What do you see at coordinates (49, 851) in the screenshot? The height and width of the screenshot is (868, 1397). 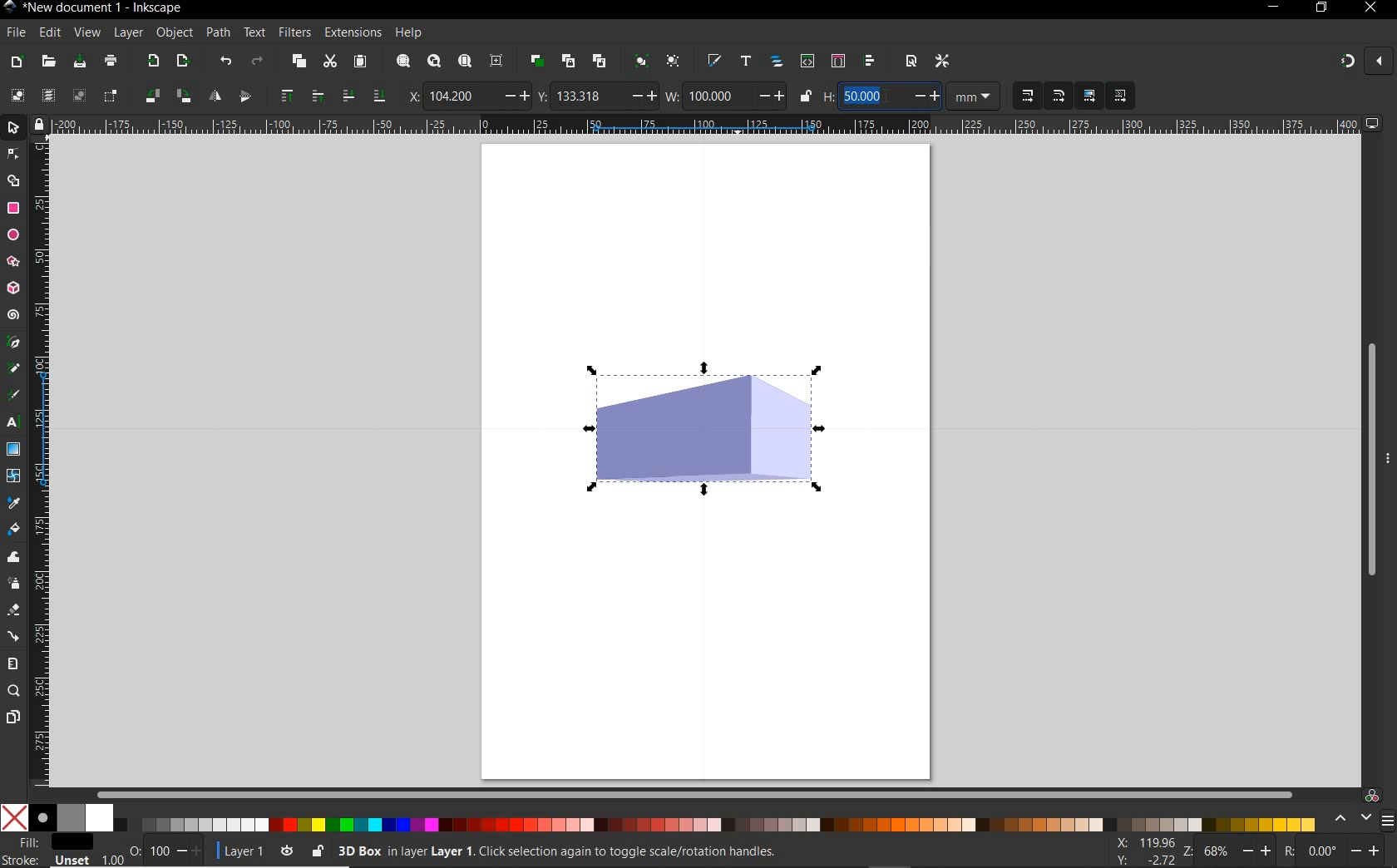 I see `fill and stroke` at bounding box center [49, 851].